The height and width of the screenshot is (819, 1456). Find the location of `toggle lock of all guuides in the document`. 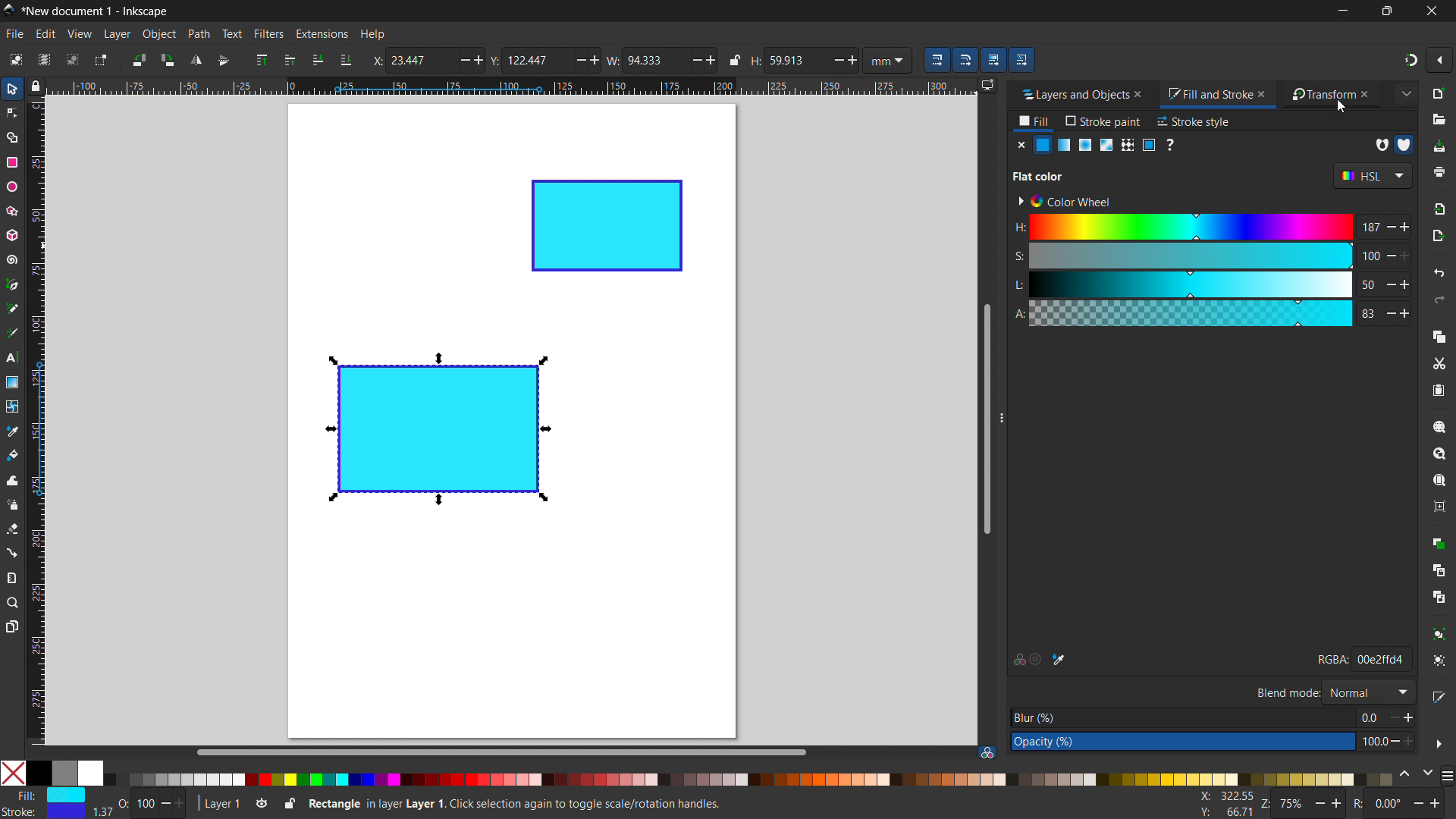

toggle lock of all guuides in the document is located at coordinates (36, 86).